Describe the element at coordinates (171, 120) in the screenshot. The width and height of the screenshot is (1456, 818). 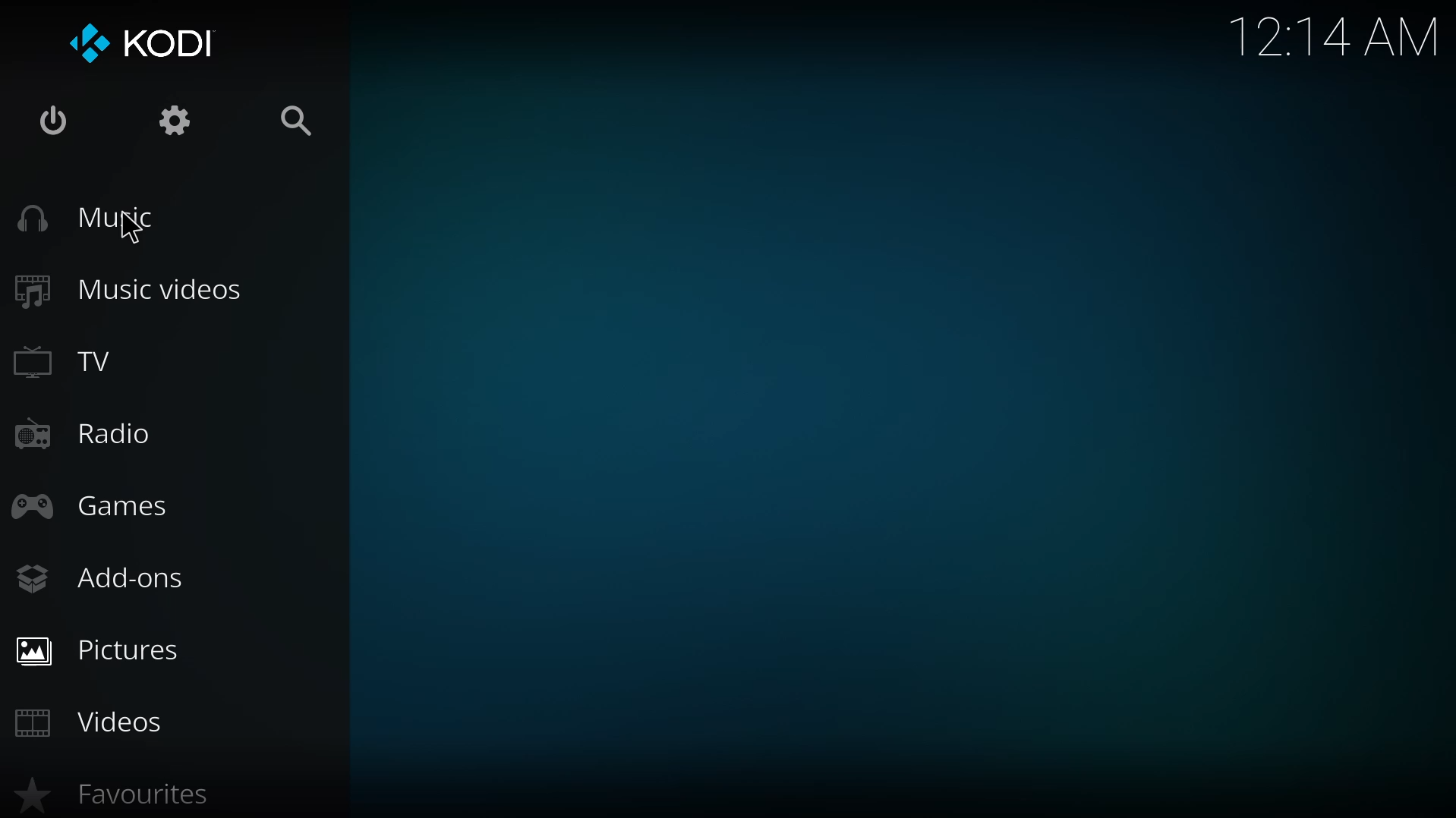
I see `settings` at that location.